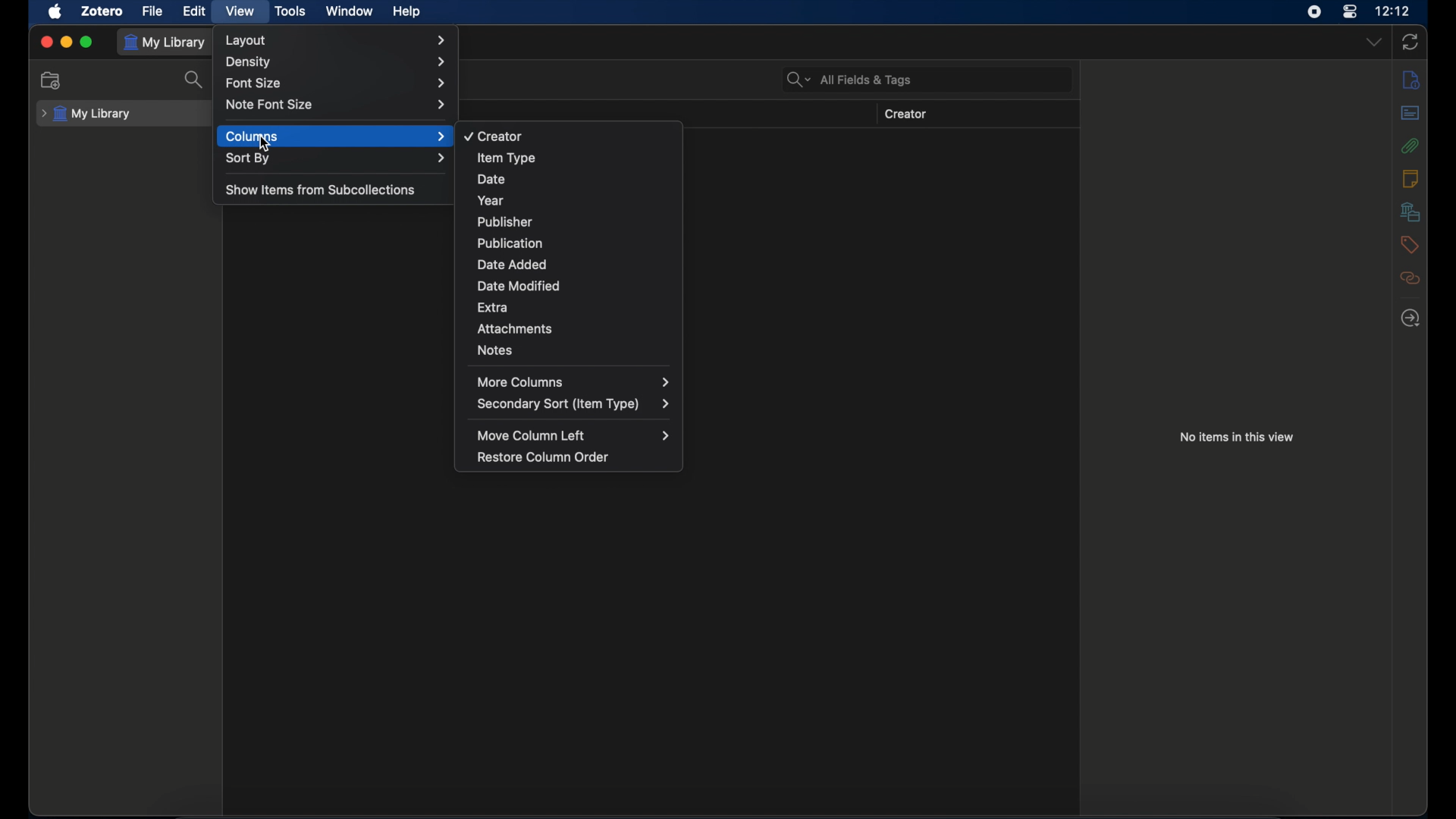  I want to click on restore column order, so click(544, 457).